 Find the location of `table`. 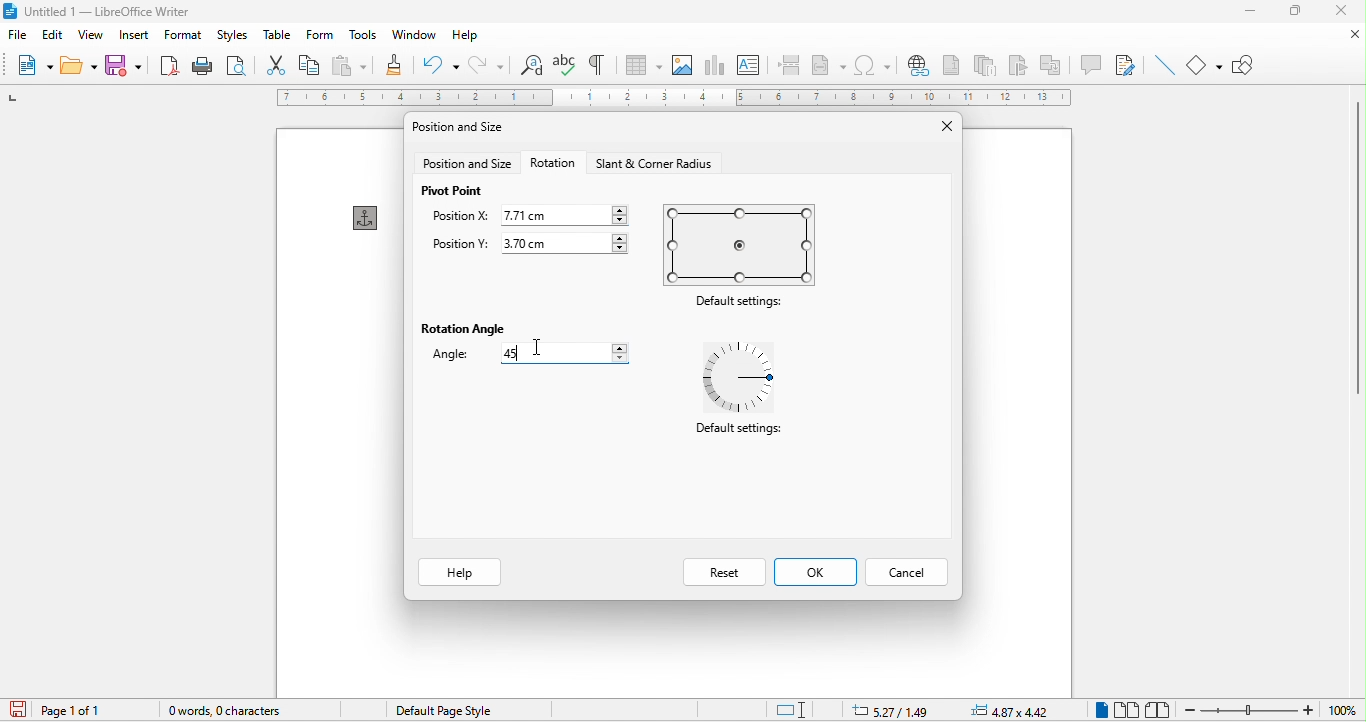

table is located at coordinates (276, 37).